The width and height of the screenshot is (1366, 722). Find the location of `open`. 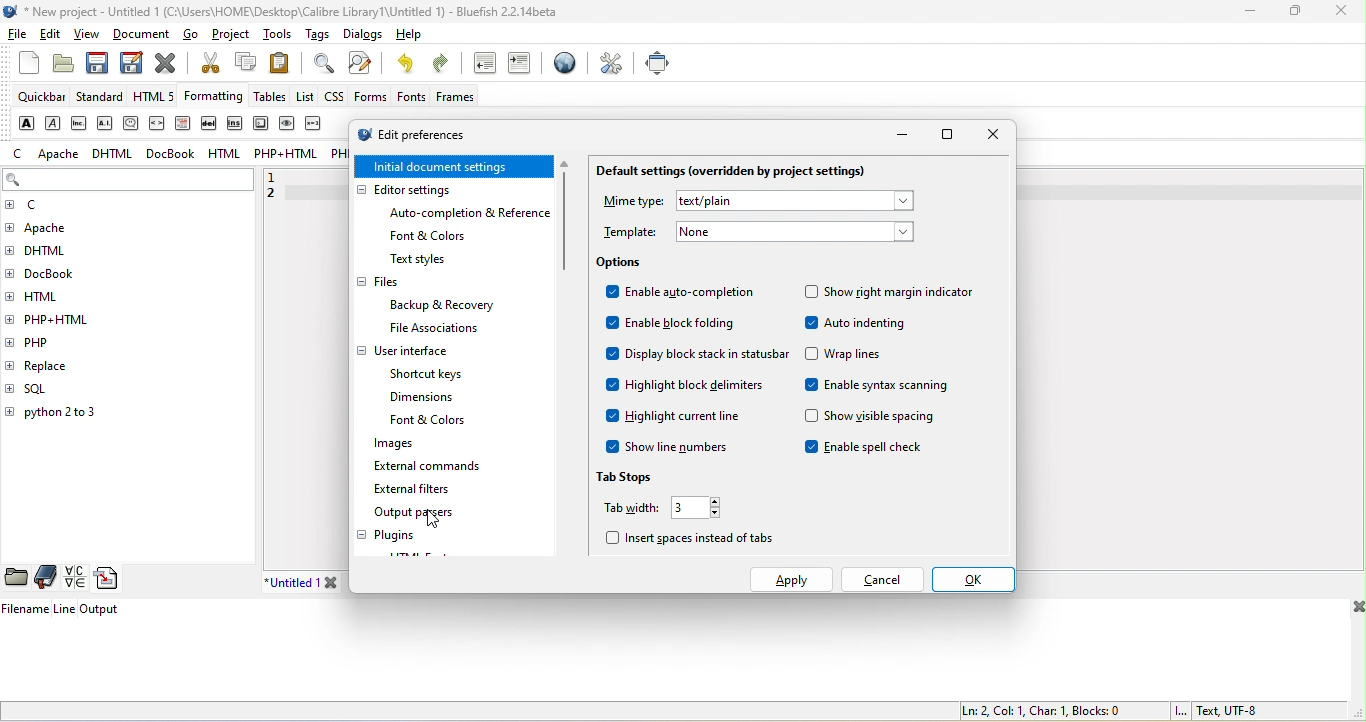

open is located at coordinates (62, 64).